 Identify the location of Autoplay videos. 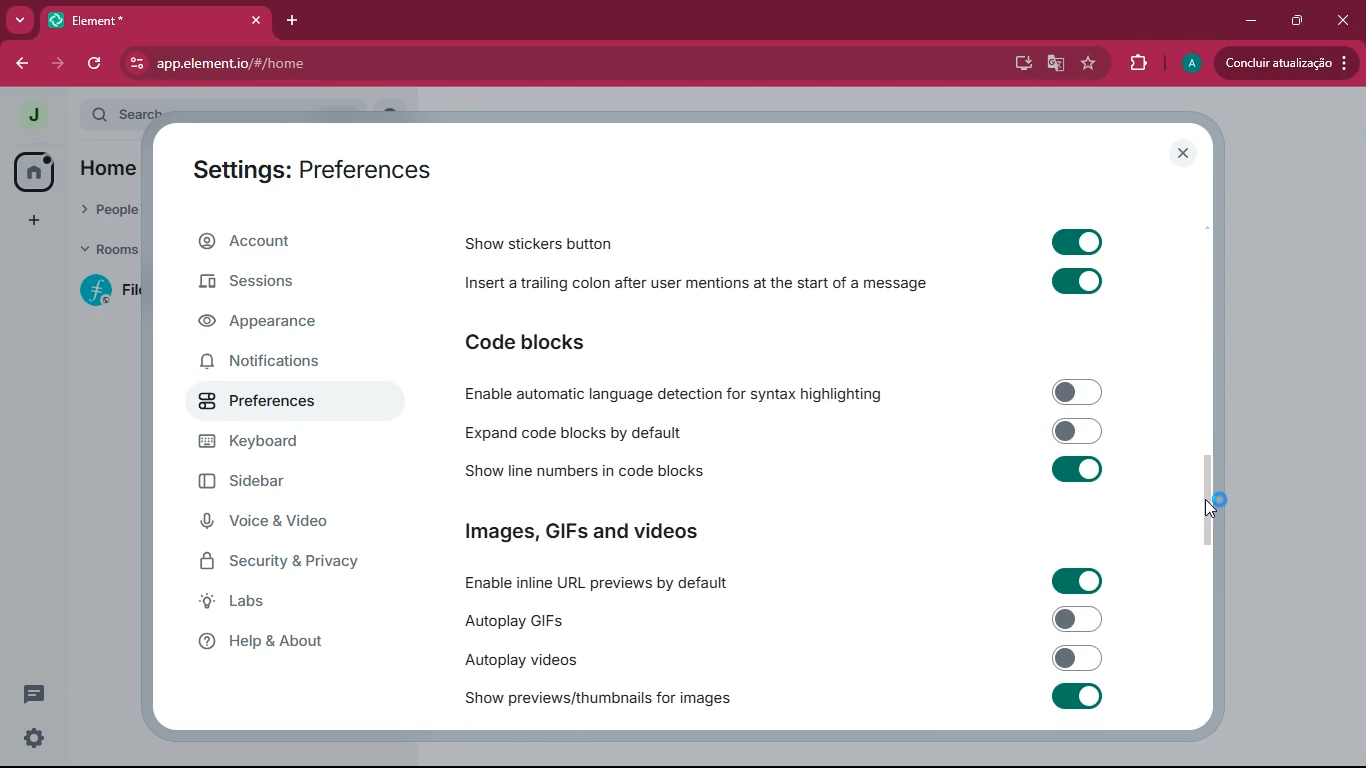
(518, 660).